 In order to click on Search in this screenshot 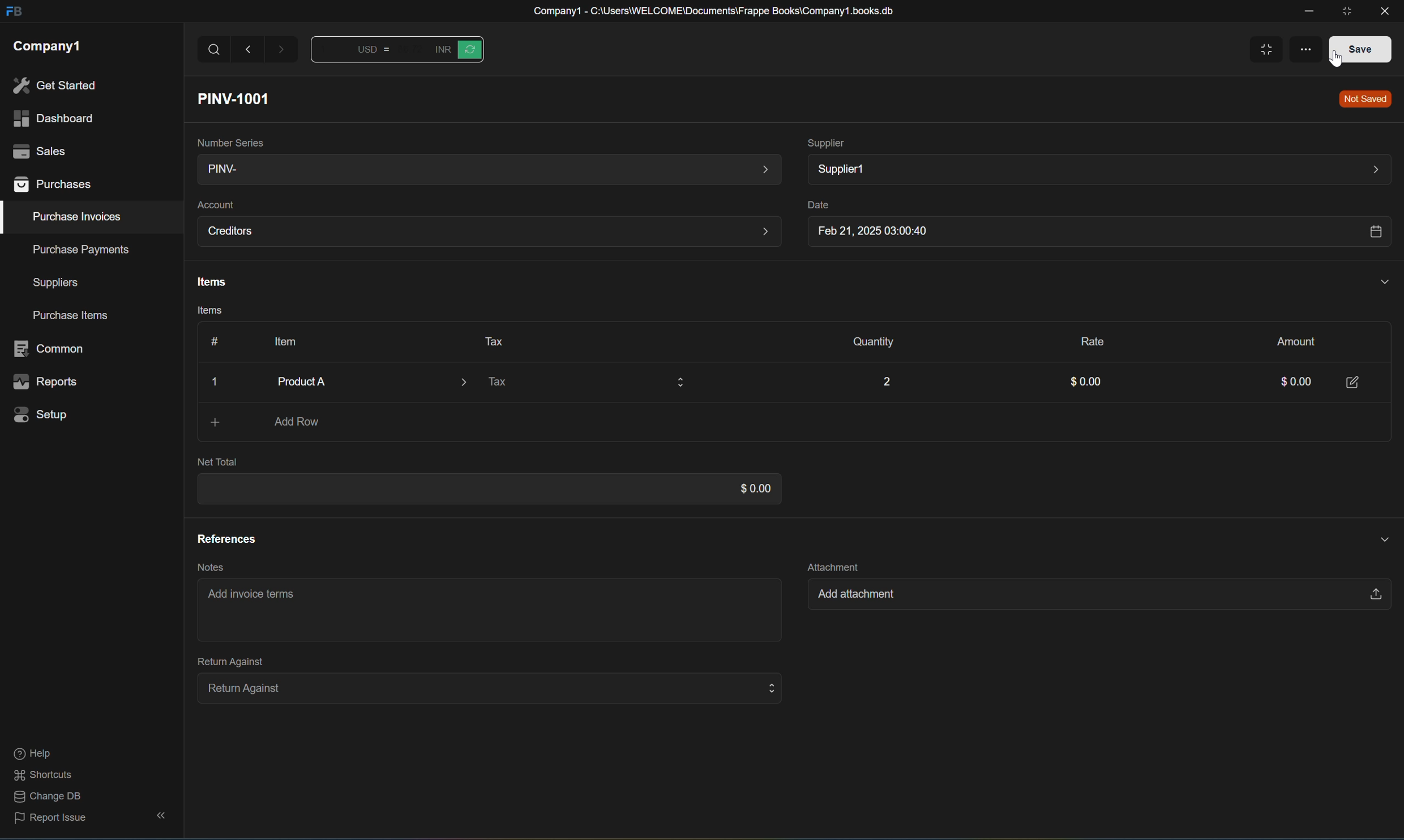, I will do `click(214, 50)`.